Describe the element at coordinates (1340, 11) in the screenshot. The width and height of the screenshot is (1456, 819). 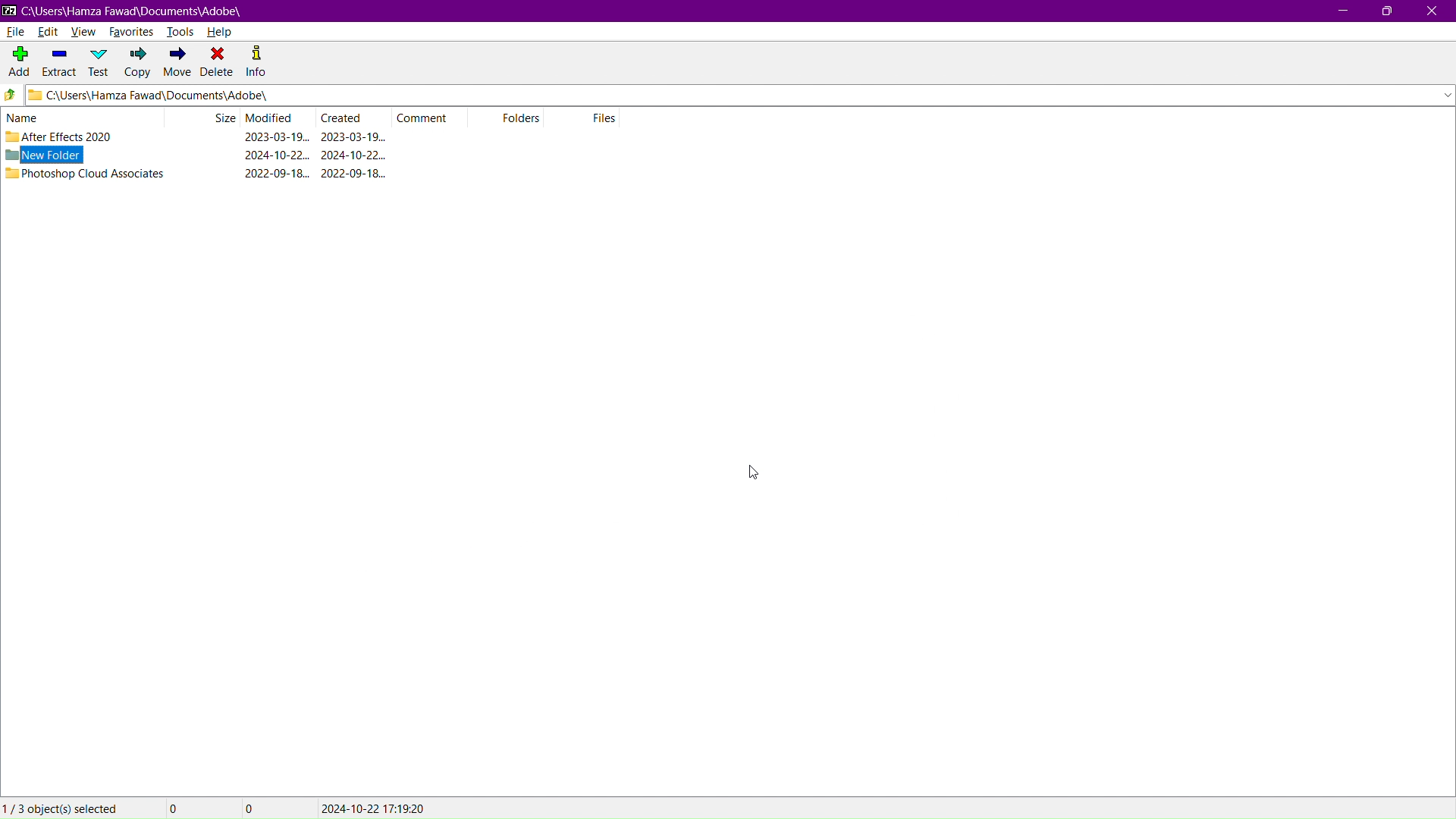
I see `Minimize` at that location.